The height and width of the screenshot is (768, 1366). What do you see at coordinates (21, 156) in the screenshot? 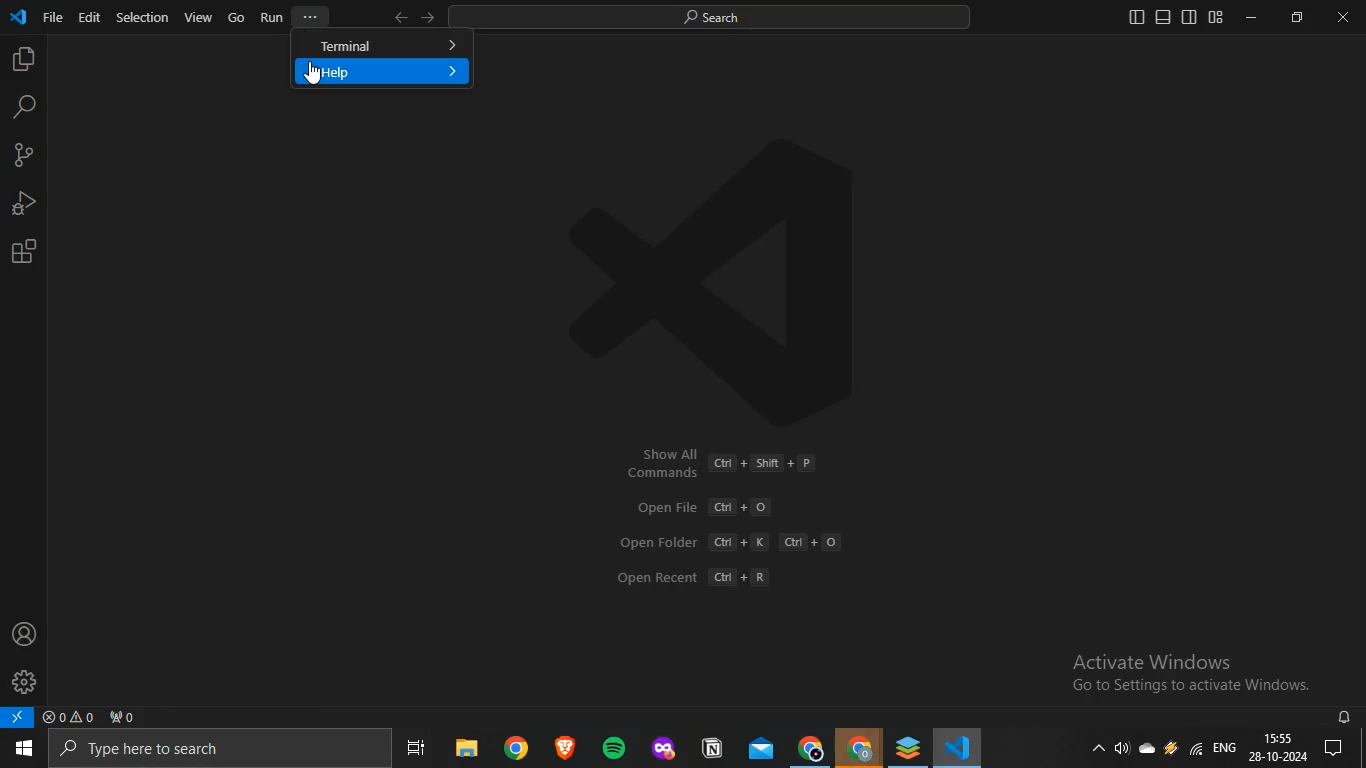
I see `source control` at bounding box center [21, 156].